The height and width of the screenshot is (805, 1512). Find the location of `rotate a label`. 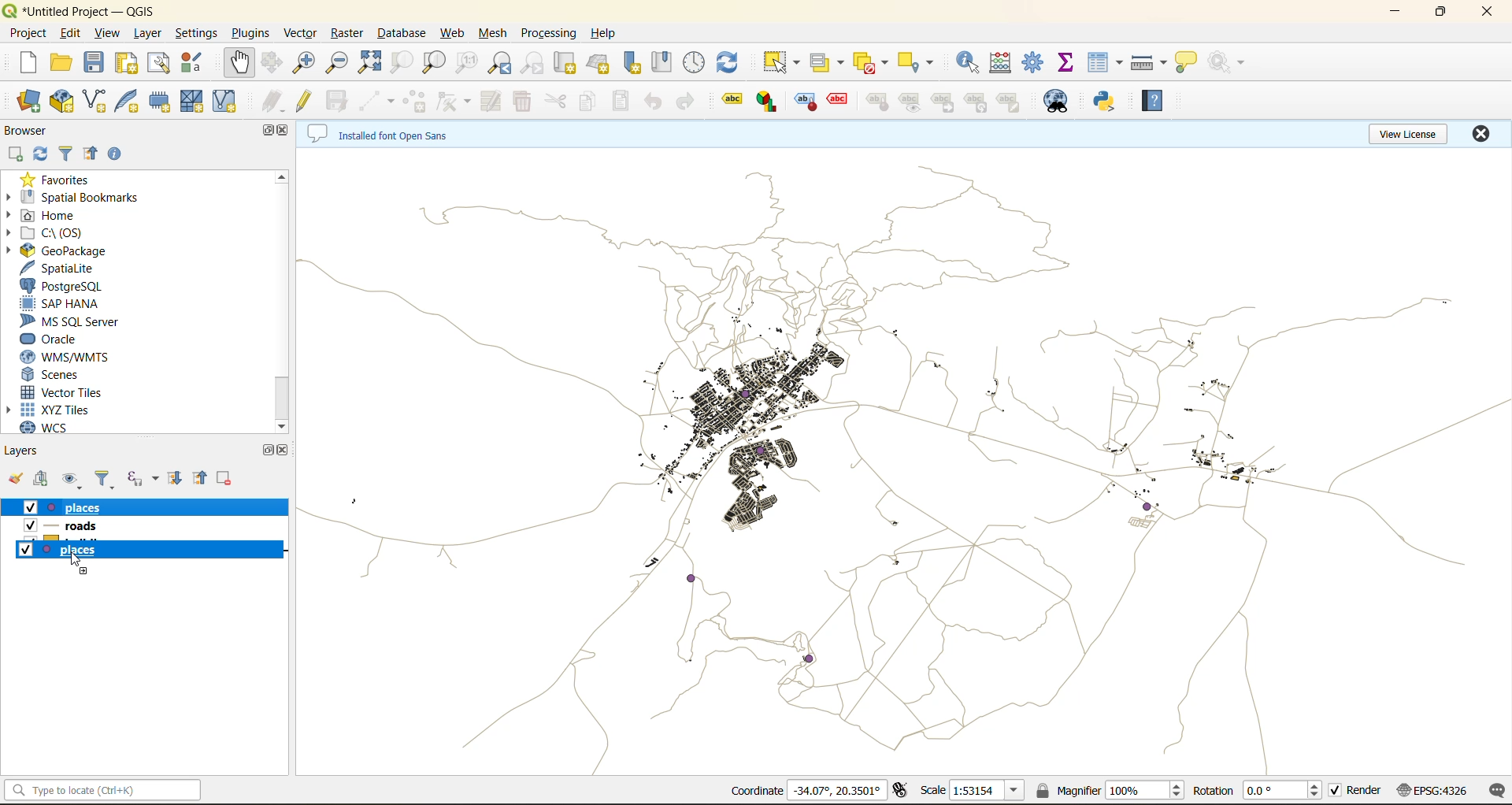

rotate a label is located at coordinates (979, 102).